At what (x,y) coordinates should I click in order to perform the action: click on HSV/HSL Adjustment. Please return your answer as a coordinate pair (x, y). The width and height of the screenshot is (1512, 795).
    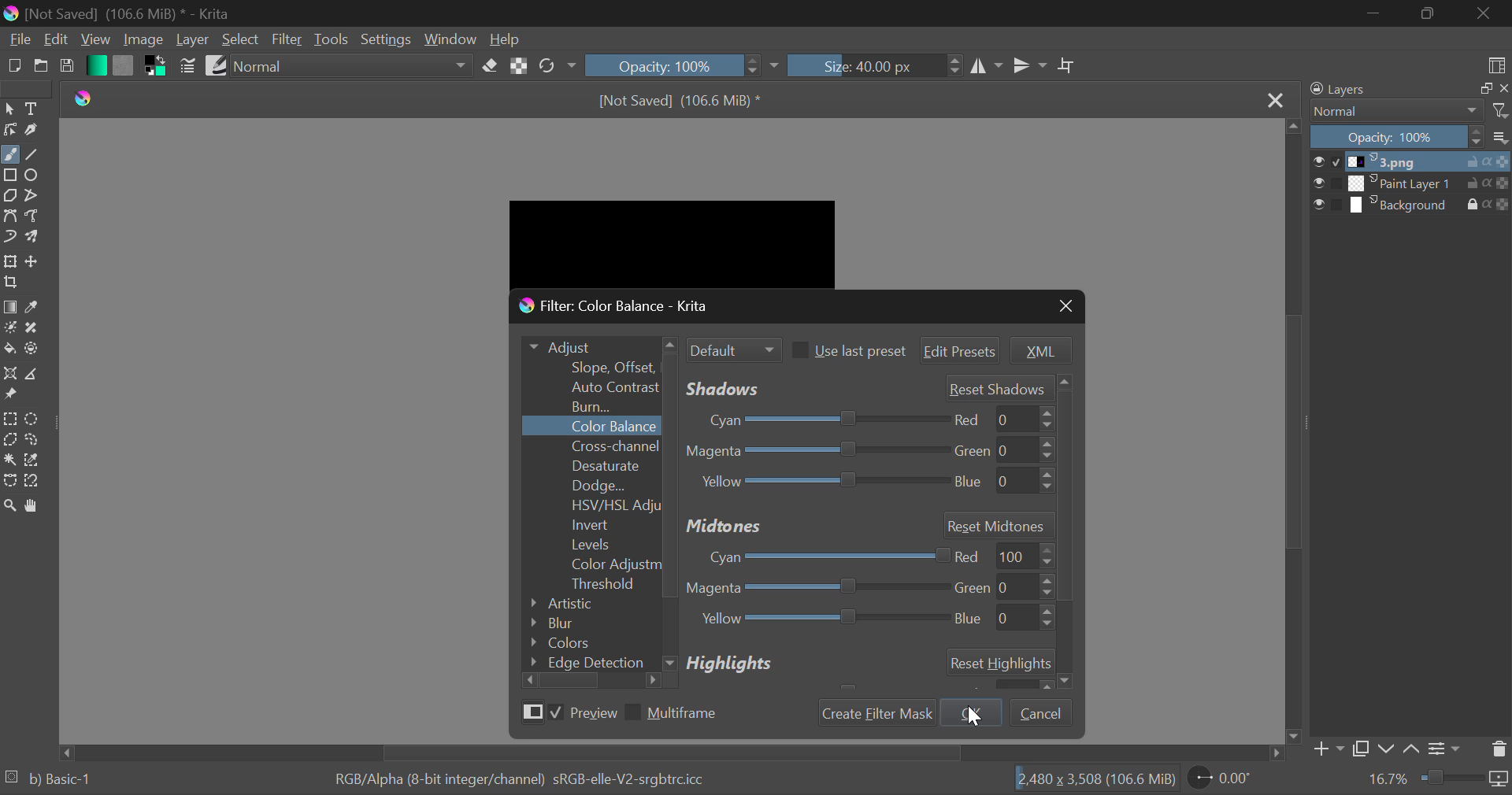
    Looking at the image, I should click on (592, 505).